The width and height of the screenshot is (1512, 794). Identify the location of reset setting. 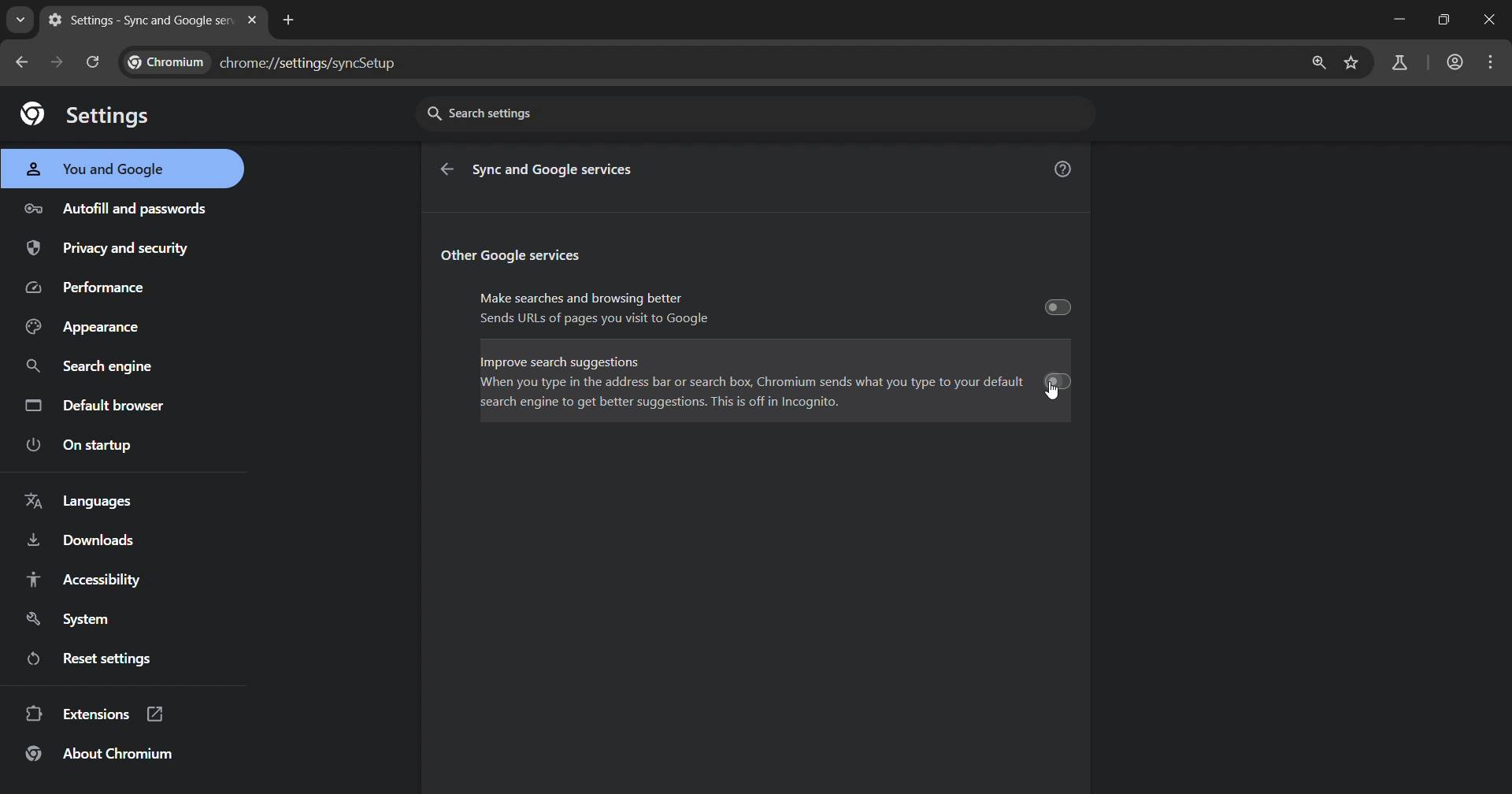
(133, 657).